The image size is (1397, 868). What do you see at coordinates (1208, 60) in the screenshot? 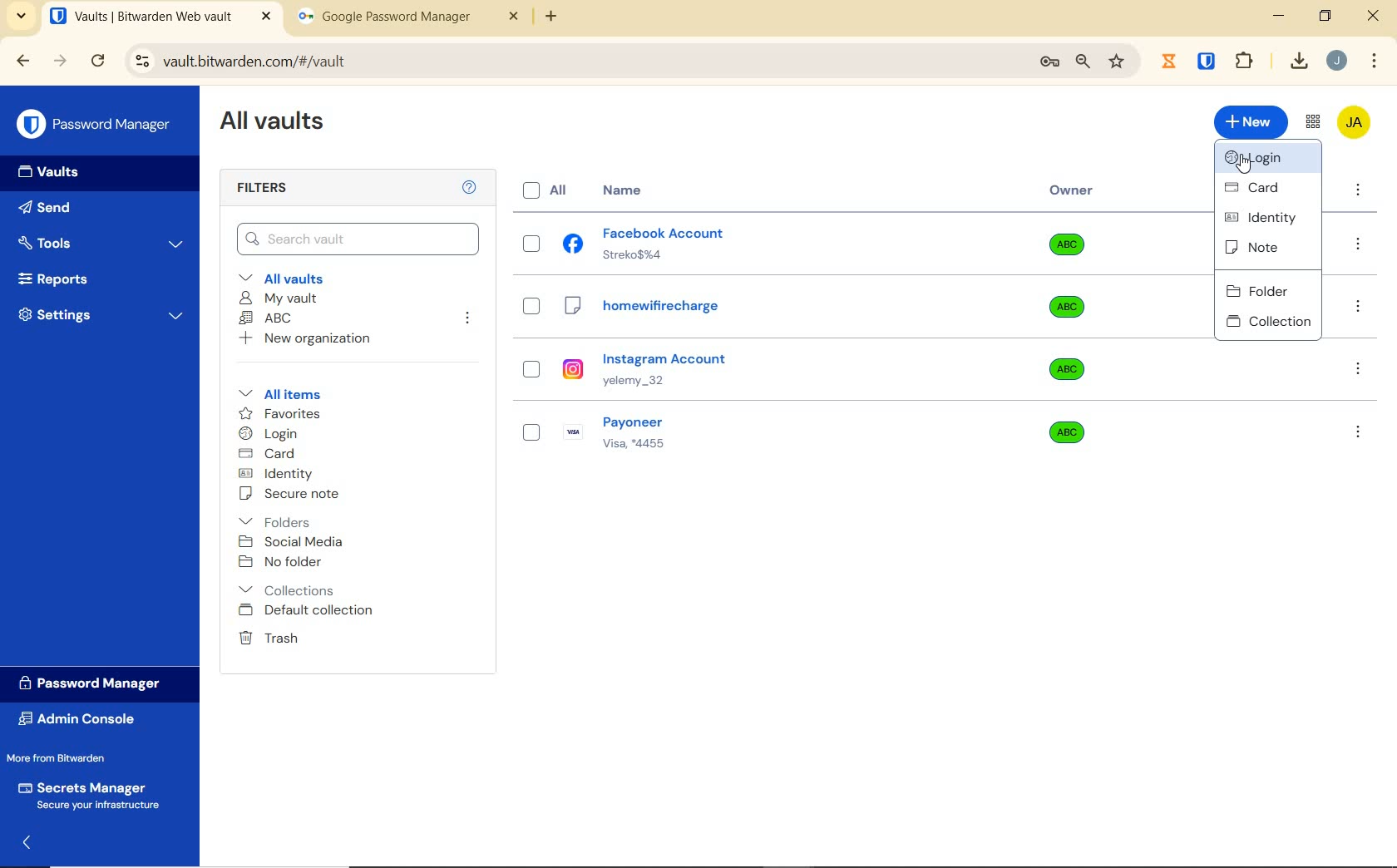
I see `extensions` at bounding box center [1208, 60].